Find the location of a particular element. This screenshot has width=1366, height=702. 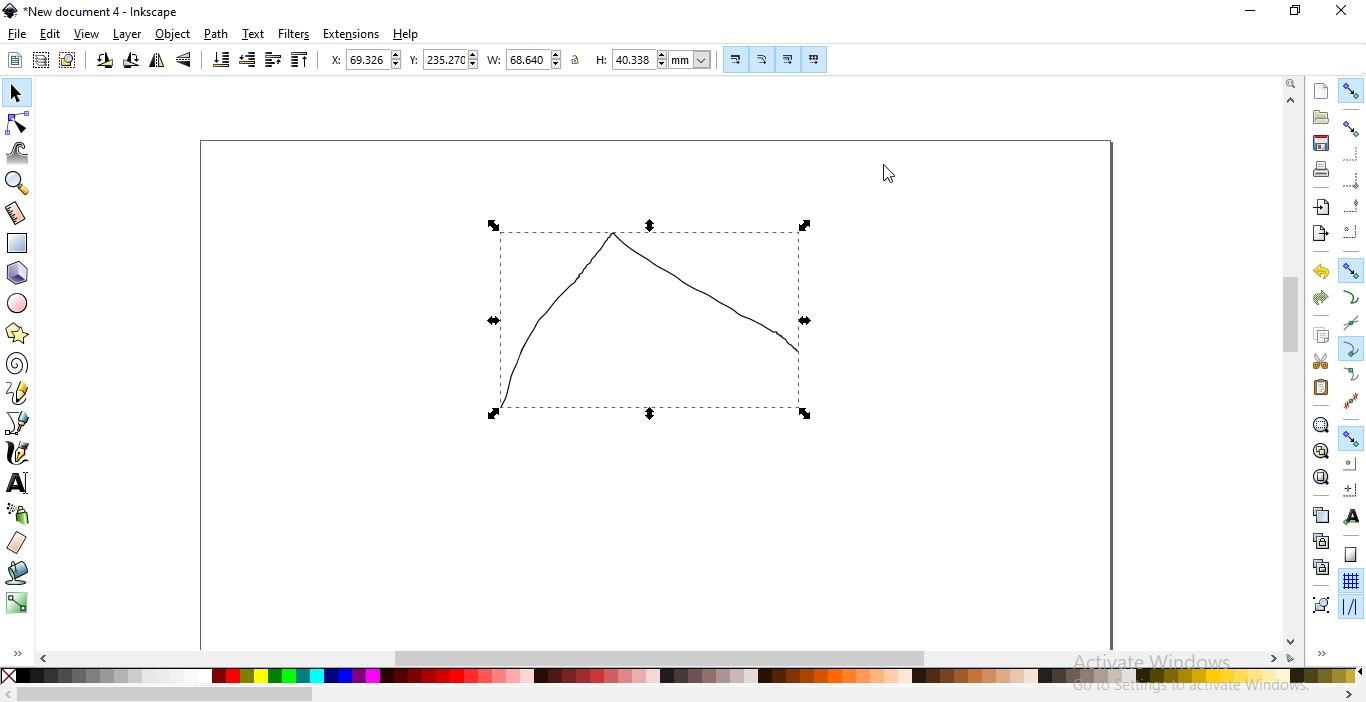

duplicate selected objects is located at coordinates (1320, 514).